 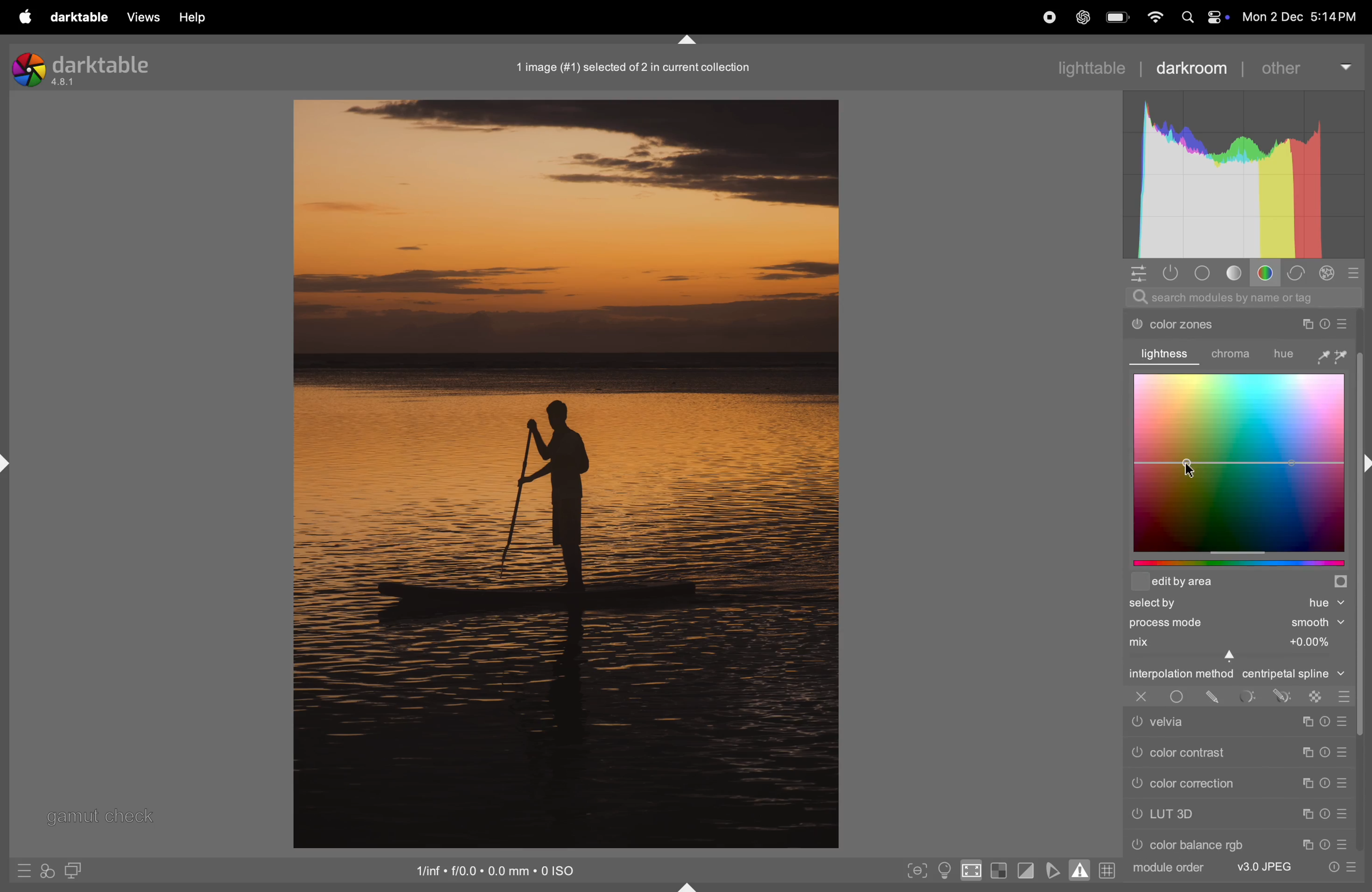 I want to click on hue, so click(x=1310, y=354).